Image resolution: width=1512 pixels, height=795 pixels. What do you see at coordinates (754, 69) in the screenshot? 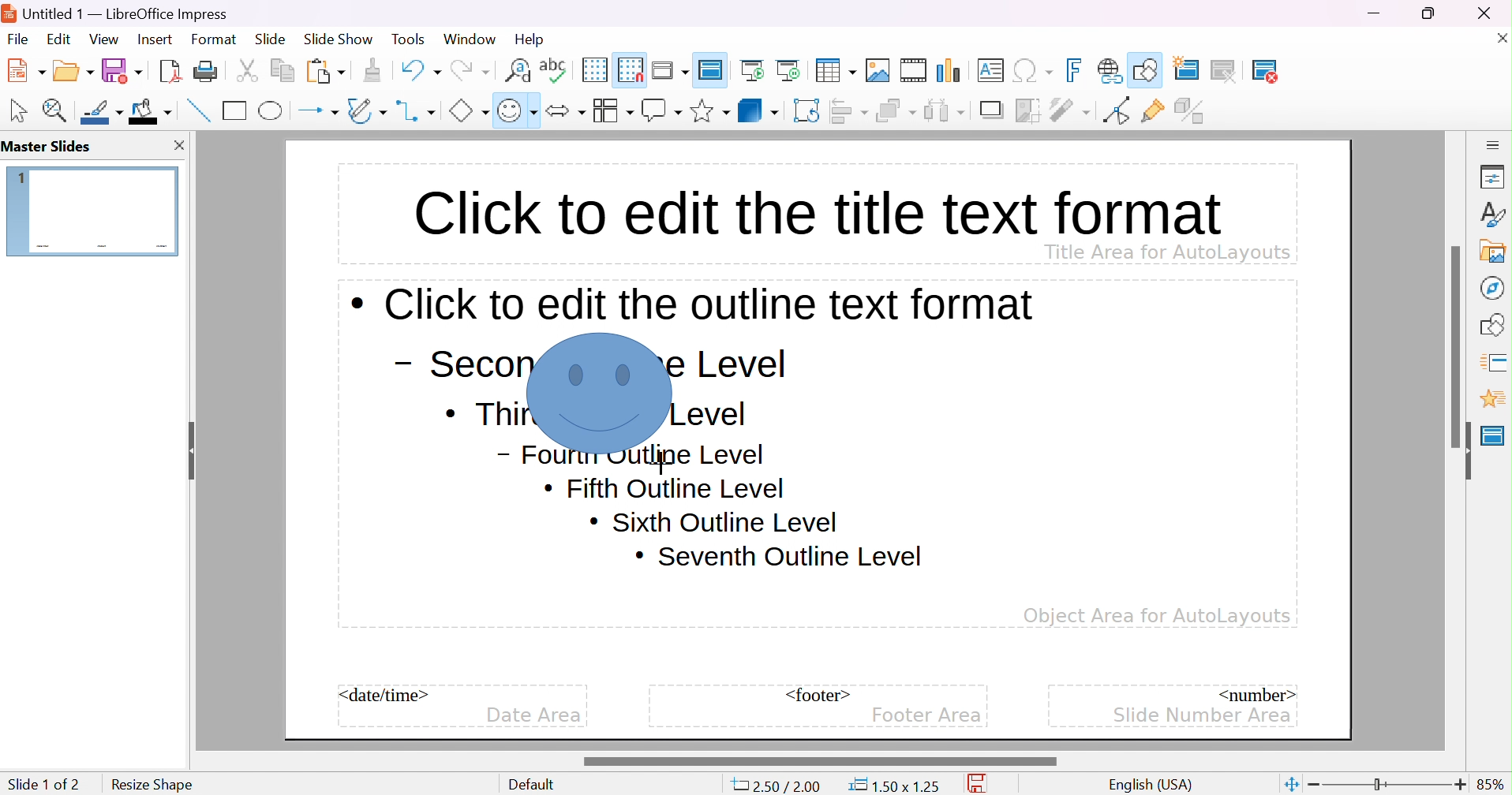
I see `start from first slide` at bounding box center [754, 69].